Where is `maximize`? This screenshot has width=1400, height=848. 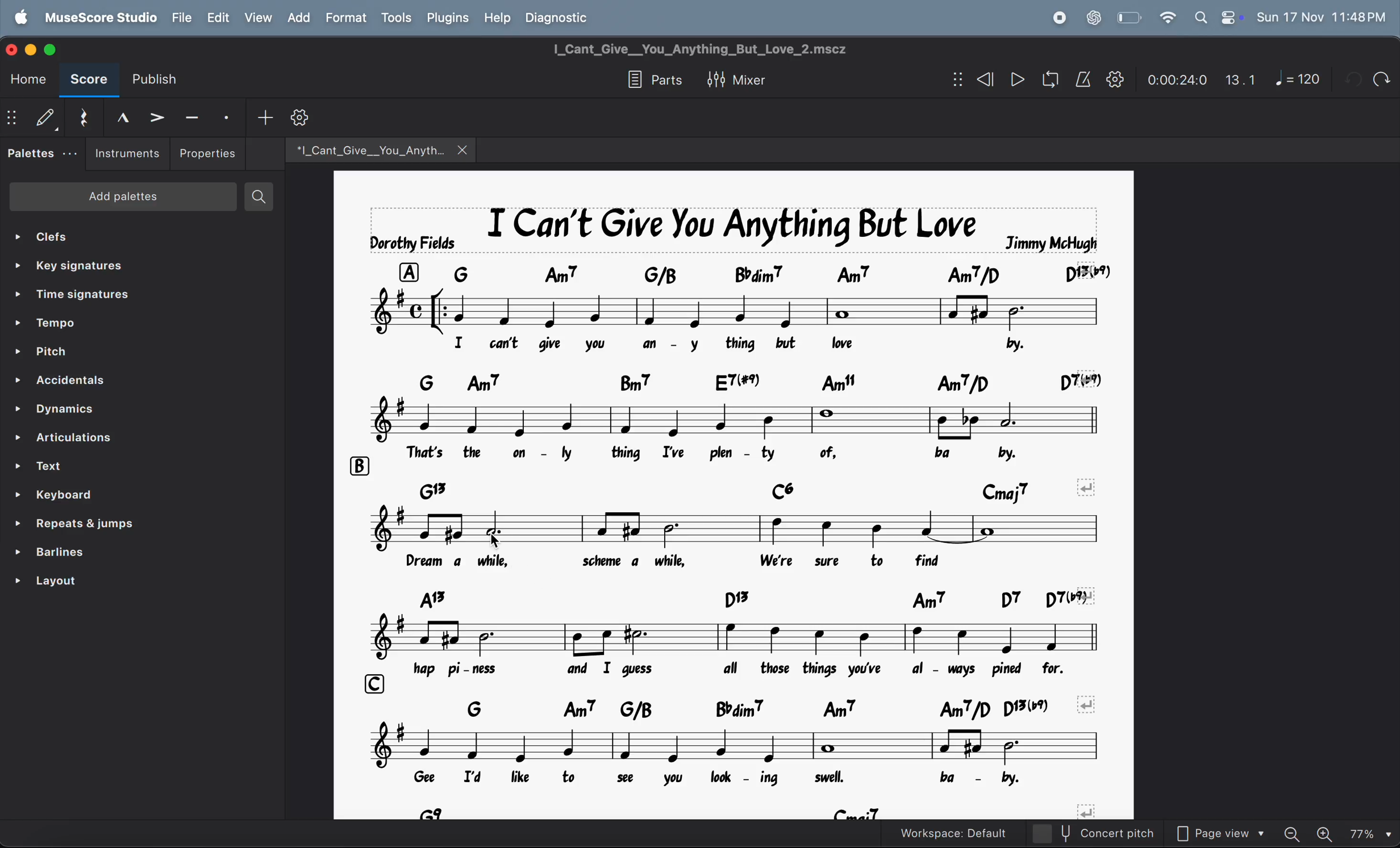 maximize is located at coordinates (55, 47).